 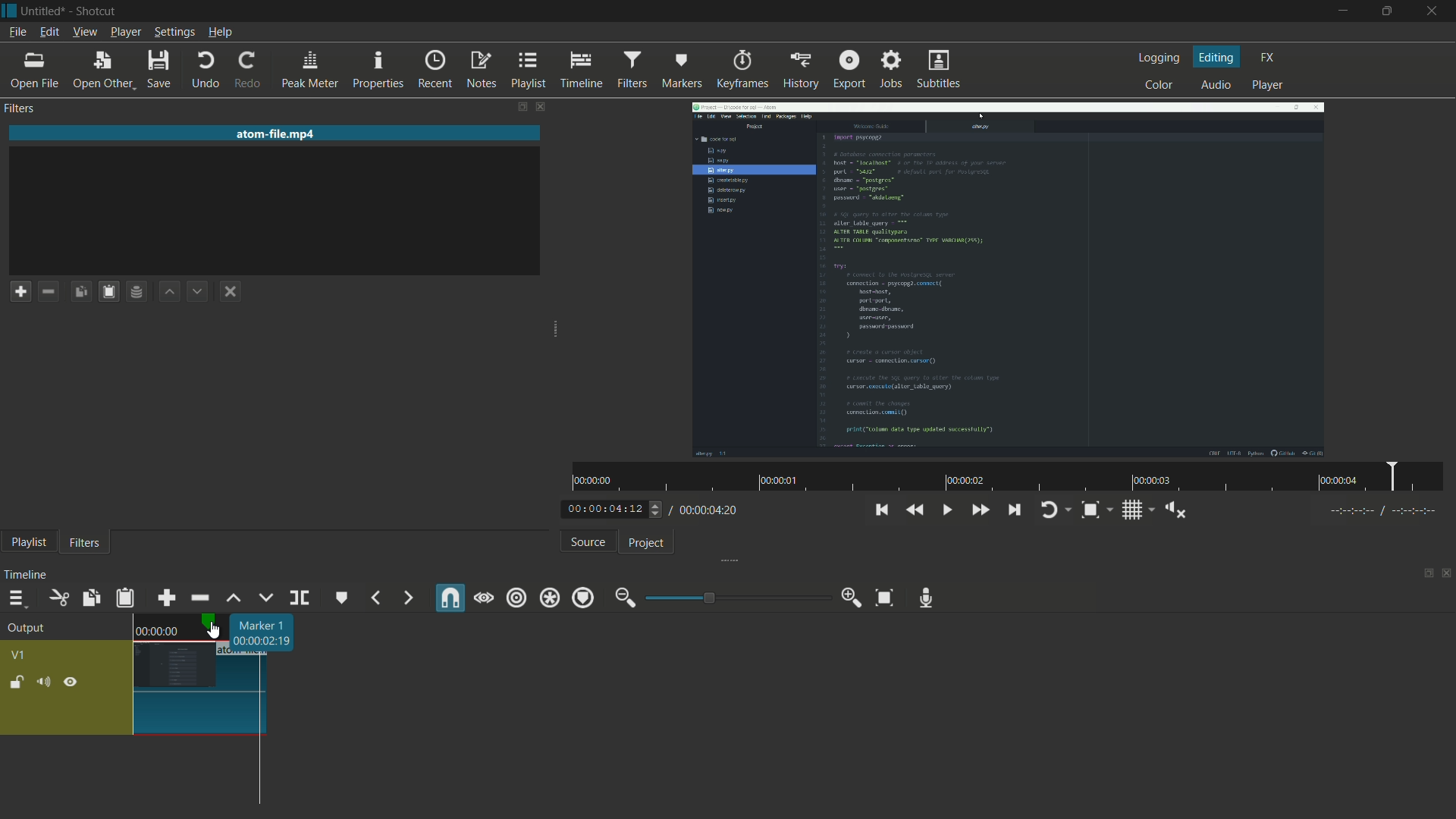 What do you see at coordinates (19, 656) in the screenshot?
I see `v1` at bounding box center [19, 656].